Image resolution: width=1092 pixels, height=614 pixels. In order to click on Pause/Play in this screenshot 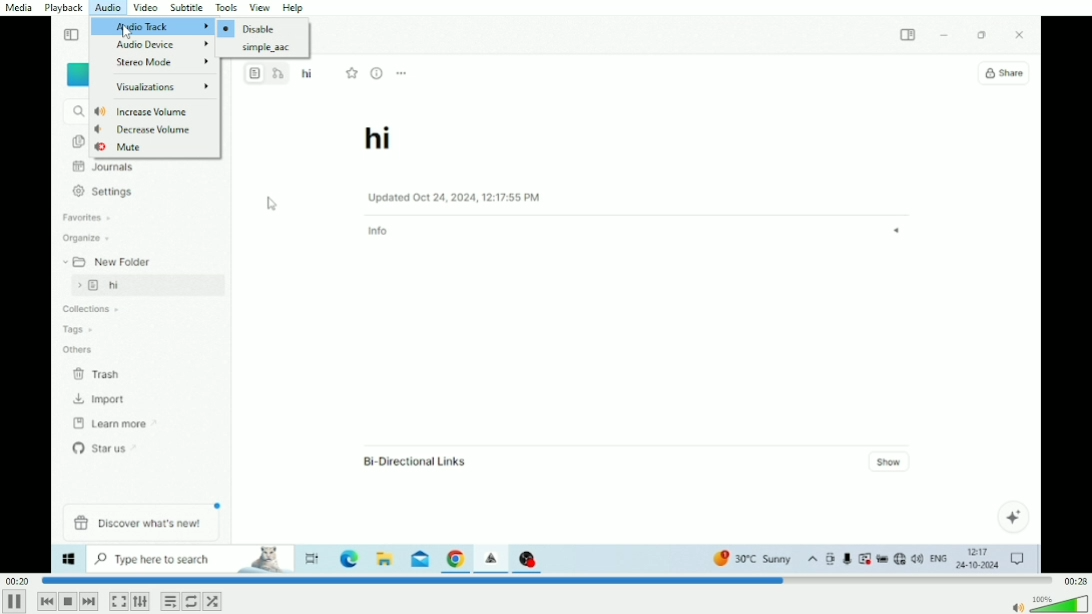, I will do `click(15, 601)`.